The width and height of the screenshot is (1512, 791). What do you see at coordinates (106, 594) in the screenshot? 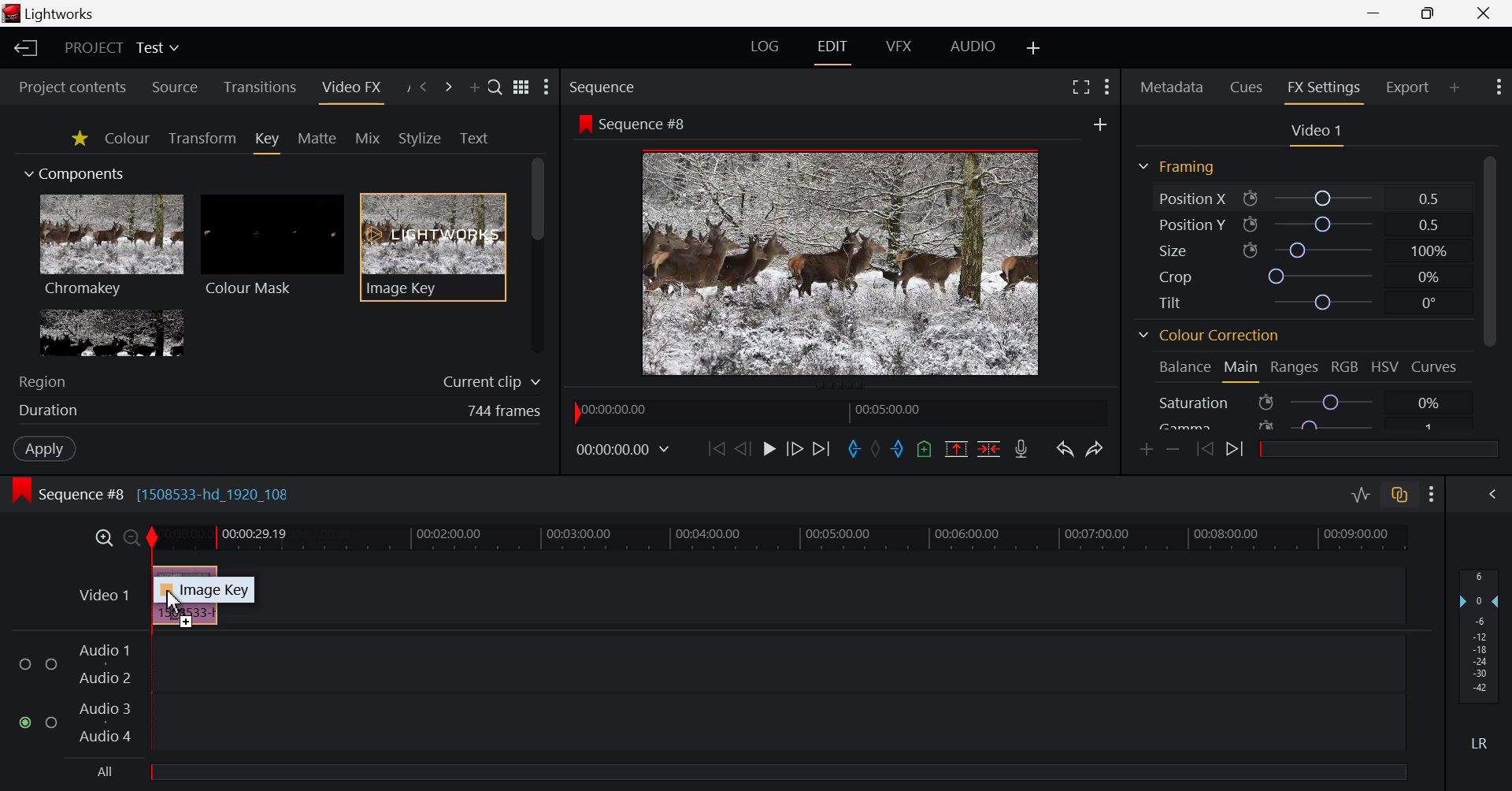
I see `Video 1` at bounding box center [106, 594].